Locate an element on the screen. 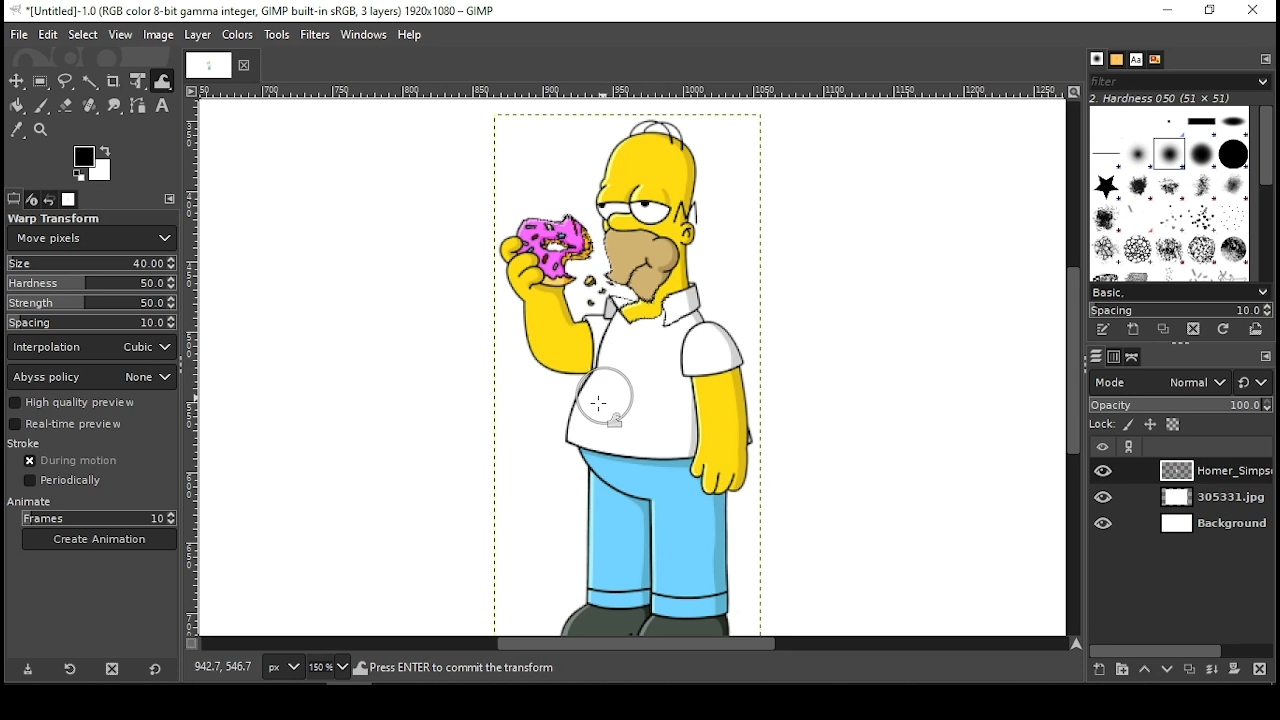  scroll bar is located at coordinates (636, 644).